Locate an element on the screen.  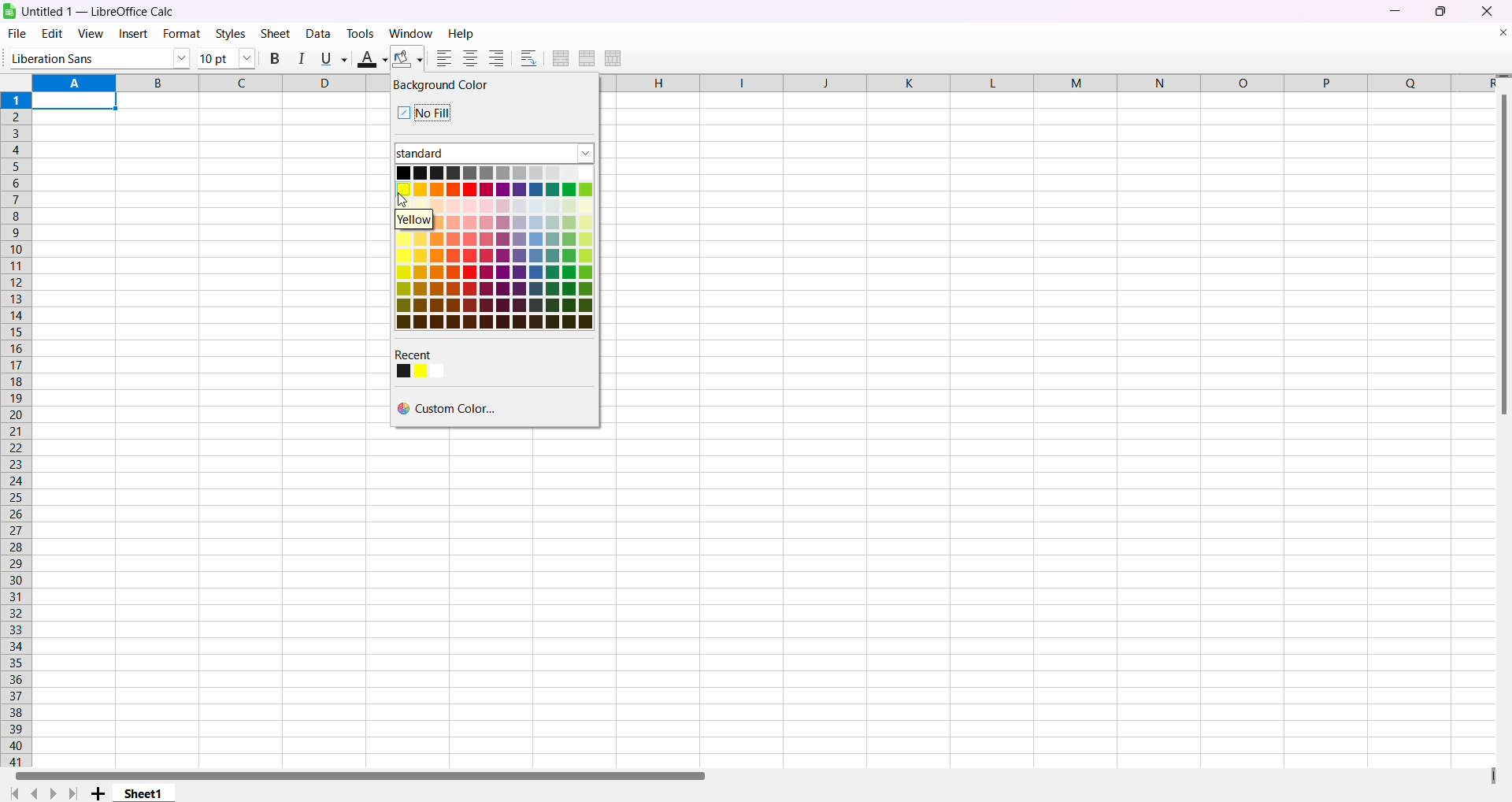
font name is located at coordinates (95, 57).